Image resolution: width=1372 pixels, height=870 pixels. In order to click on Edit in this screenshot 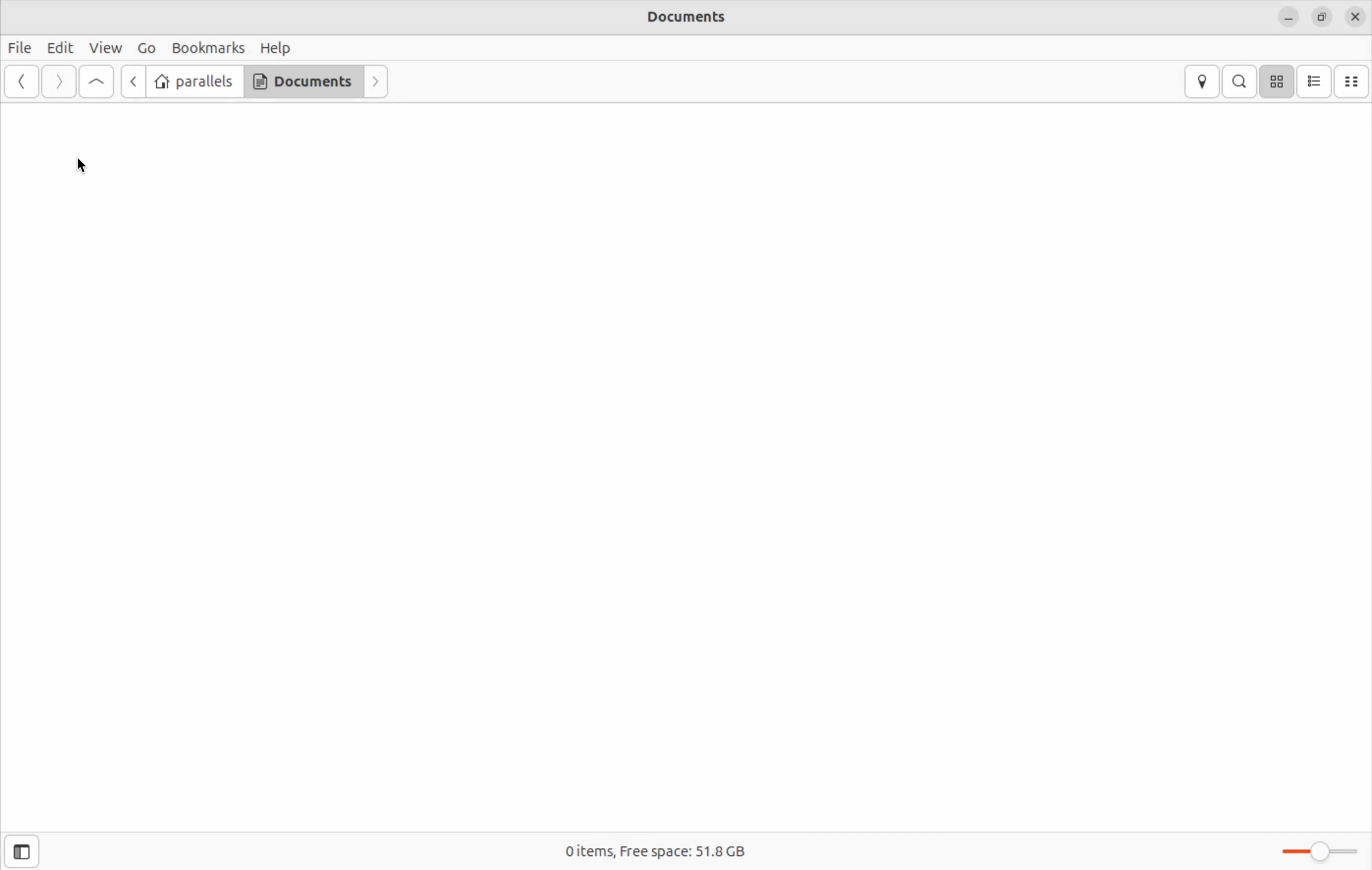, I will do `click(62, 49)`.